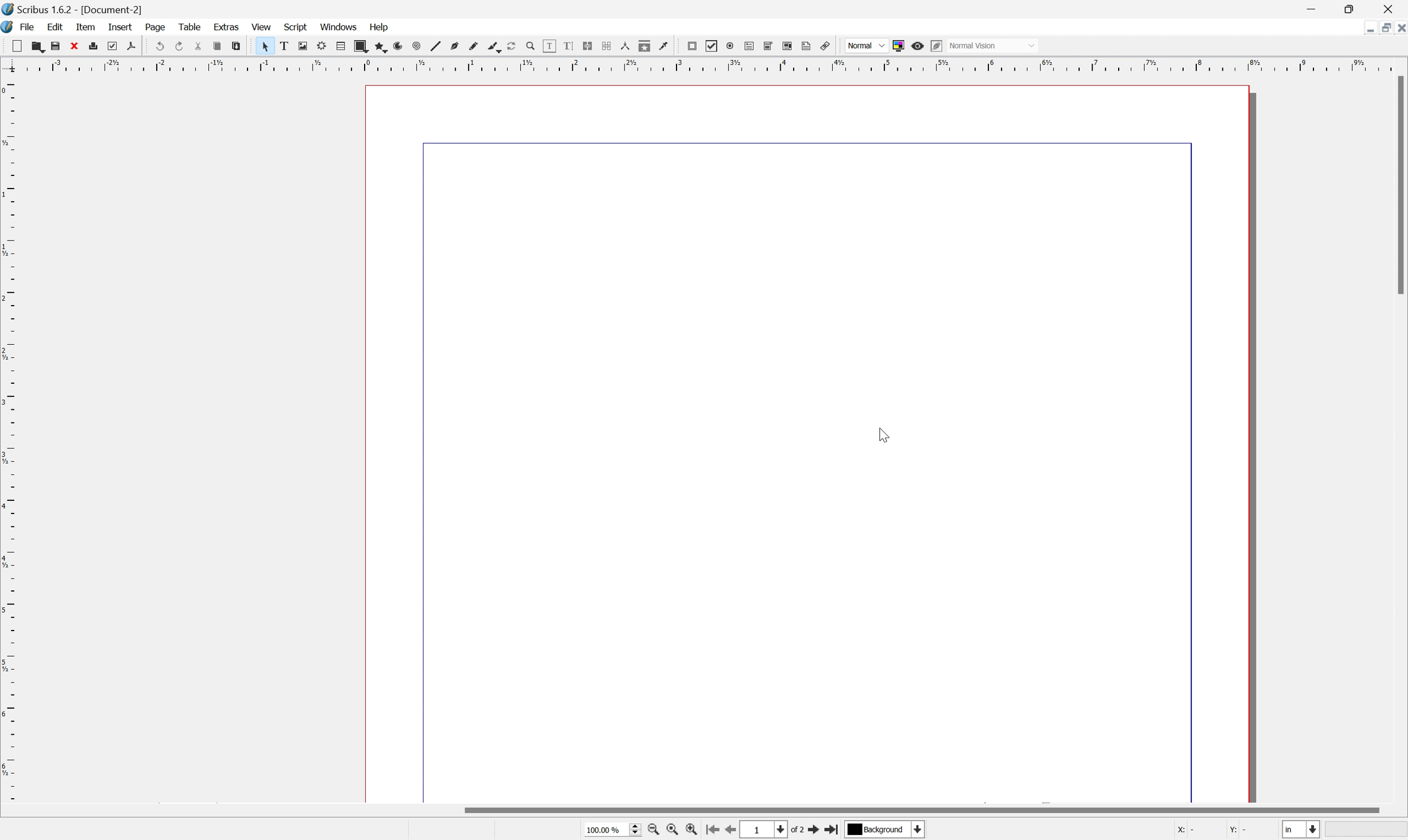 This screenshot has width=1408, height=840. I want to click on Close, so click(1399, 27).